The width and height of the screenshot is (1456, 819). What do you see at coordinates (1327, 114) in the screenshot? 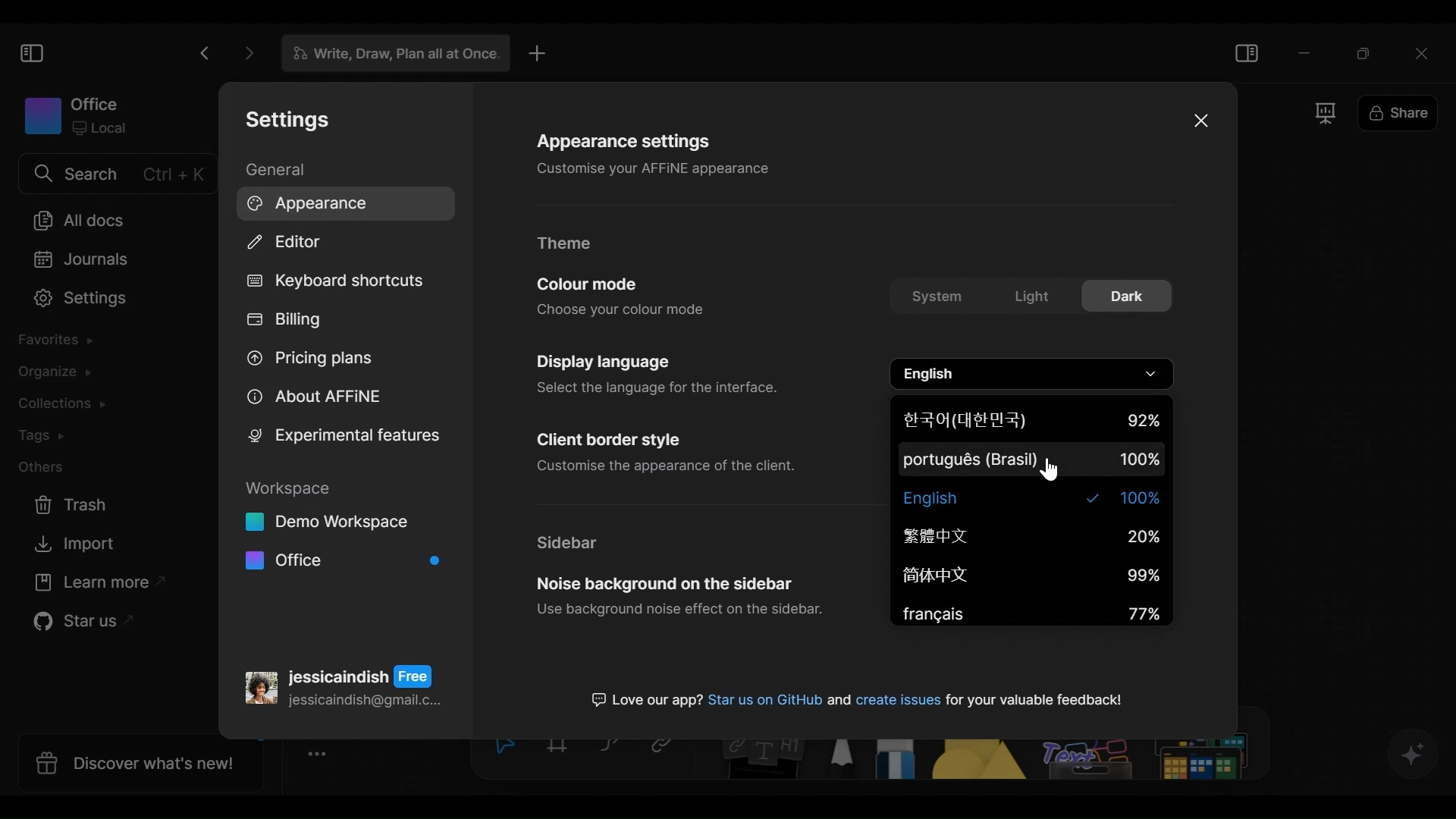
I see `Frame` at bounding box center [1327, 114].